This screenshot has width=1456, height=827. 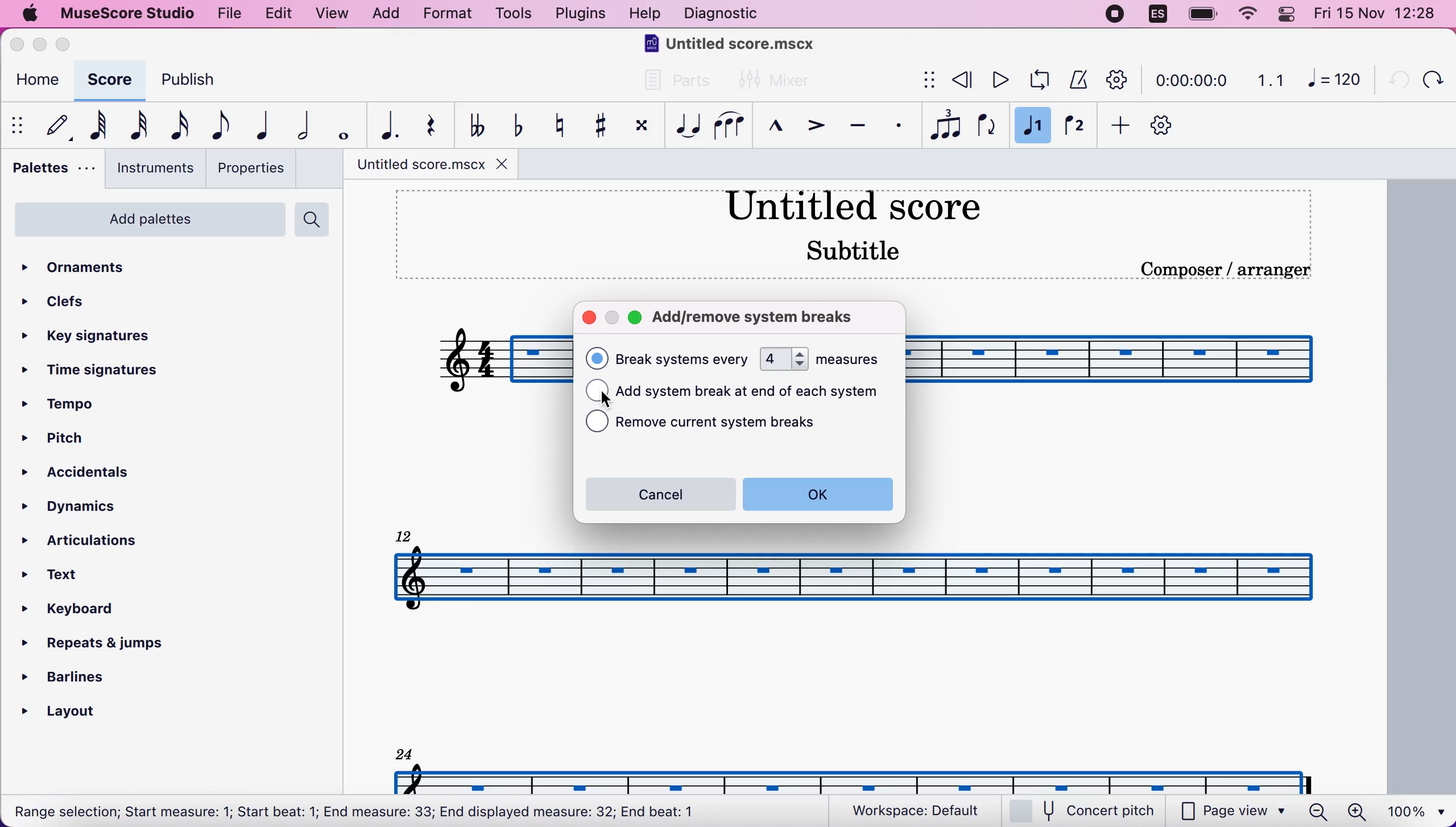 What do you see at coordinates (151, 168) in the screenshot?
I see `instruments` at bounding box center [151, 168].